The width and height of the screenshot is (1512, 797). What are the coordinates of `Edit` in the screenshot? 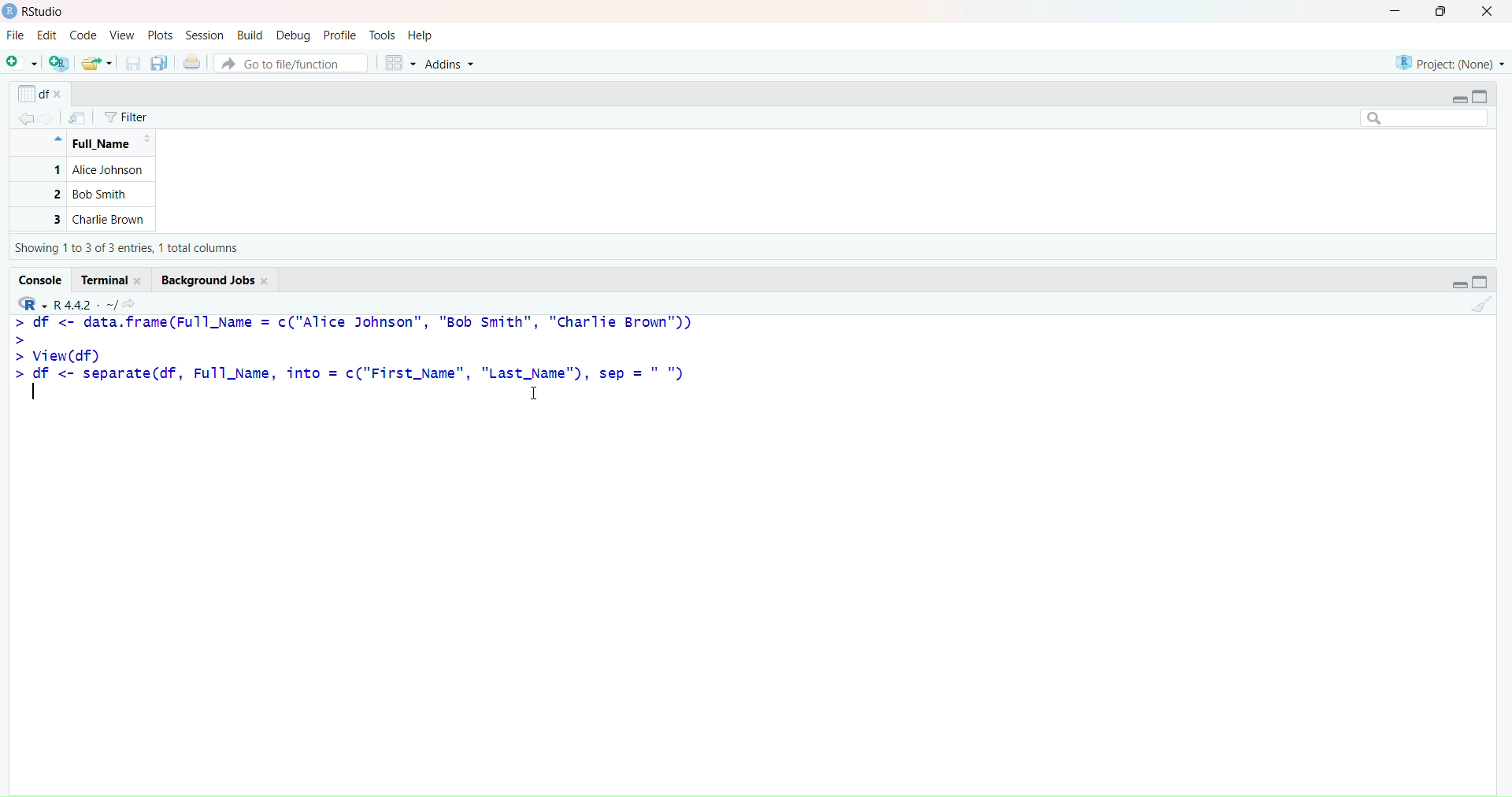 It's located at (46, 37).